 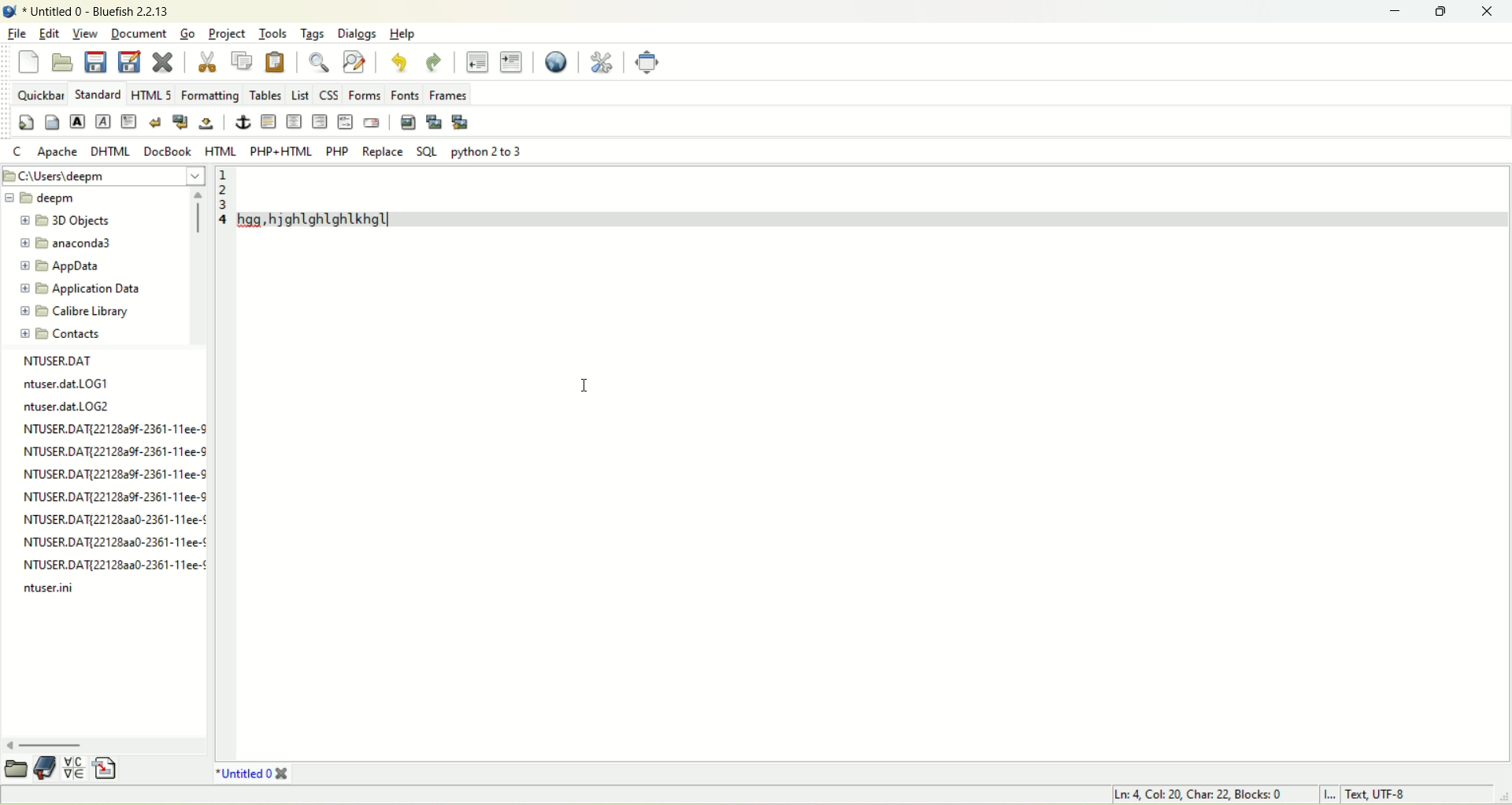 I want to click on editor, so click(x=873, y=496).